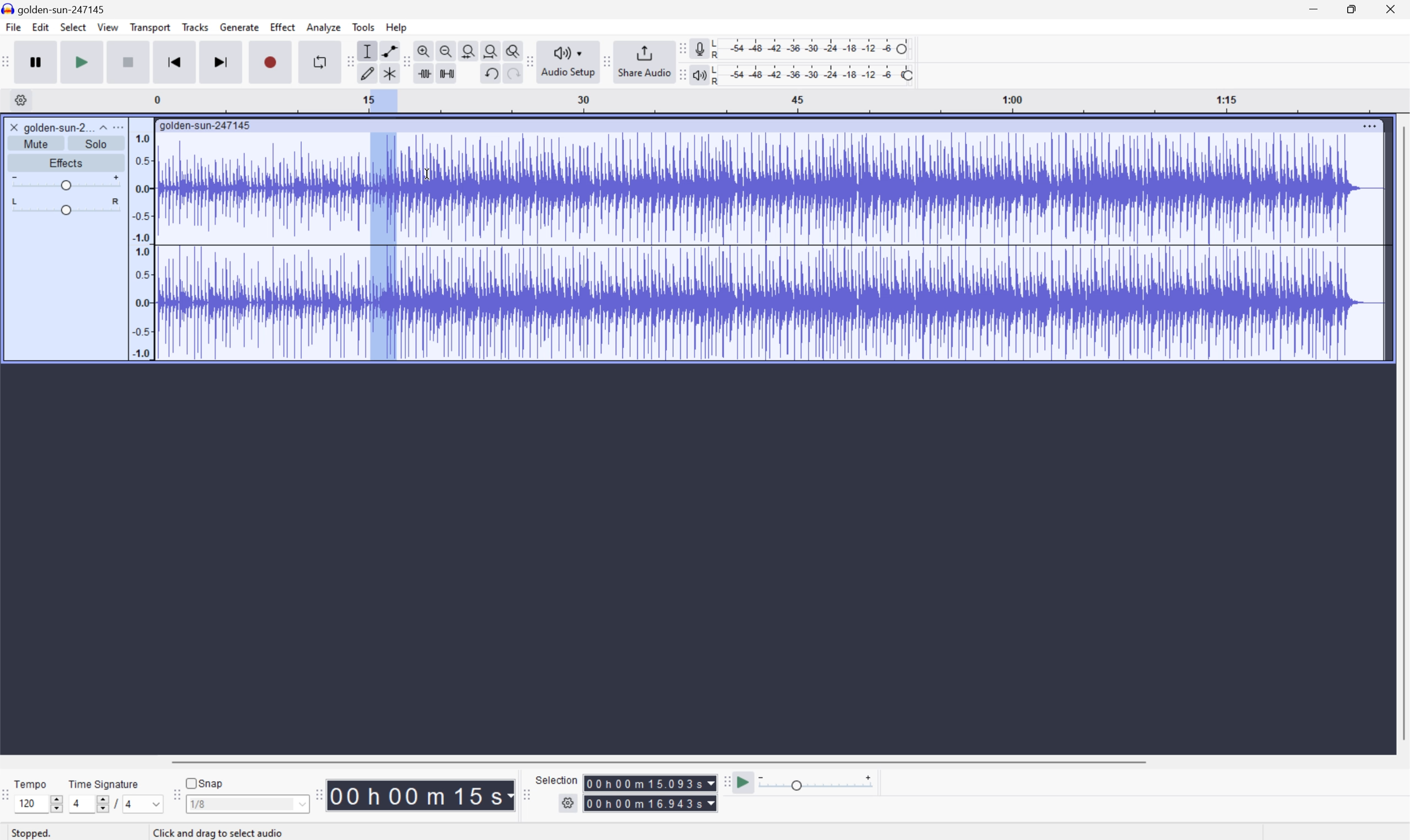  What do you see at coordinates (83, 62) in the screenshot?
I see `Play` at bounding box center [83, 62].